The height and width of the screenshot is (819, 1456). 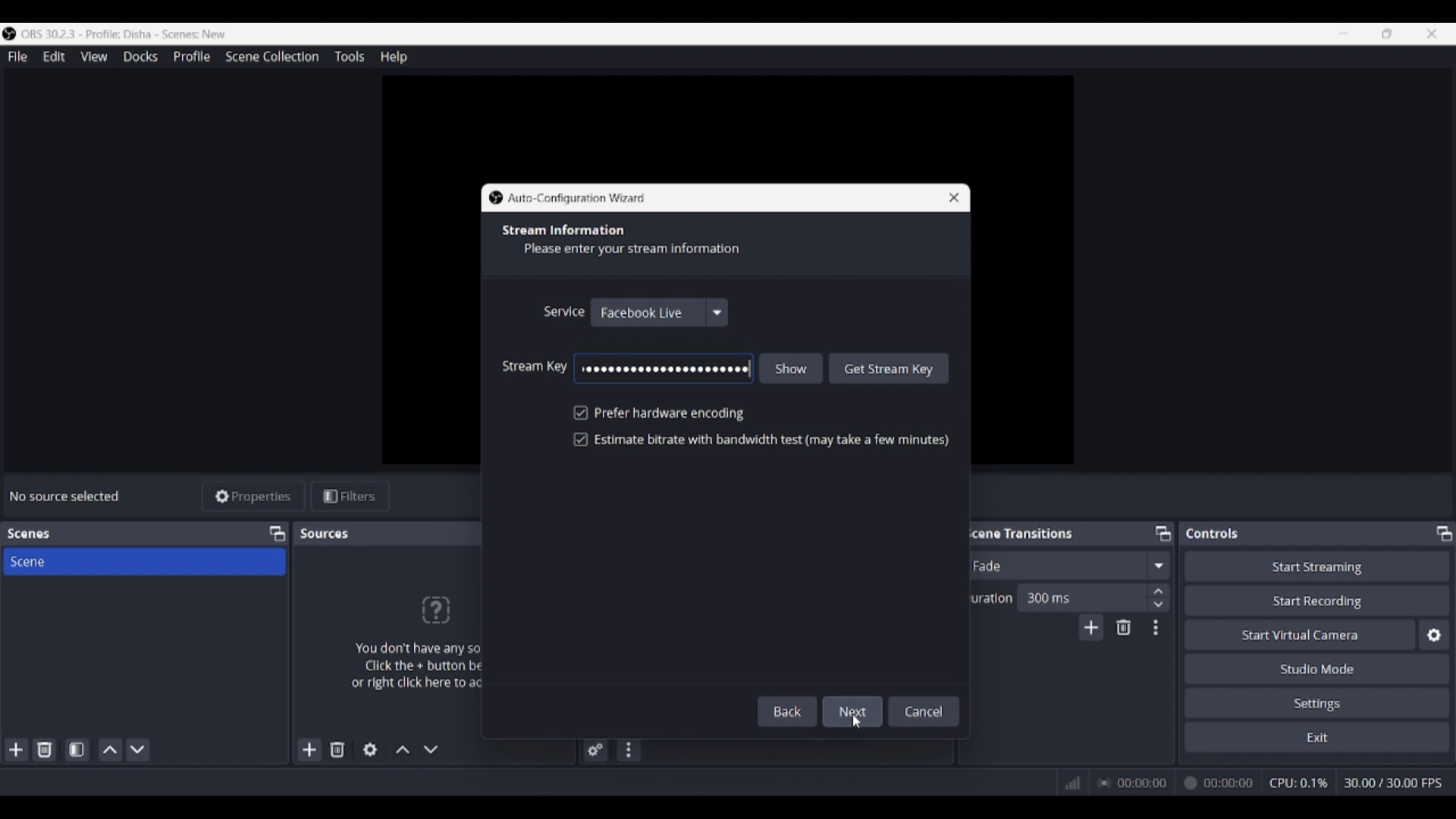 I want to click on Network, so click(x=1068, y=783).